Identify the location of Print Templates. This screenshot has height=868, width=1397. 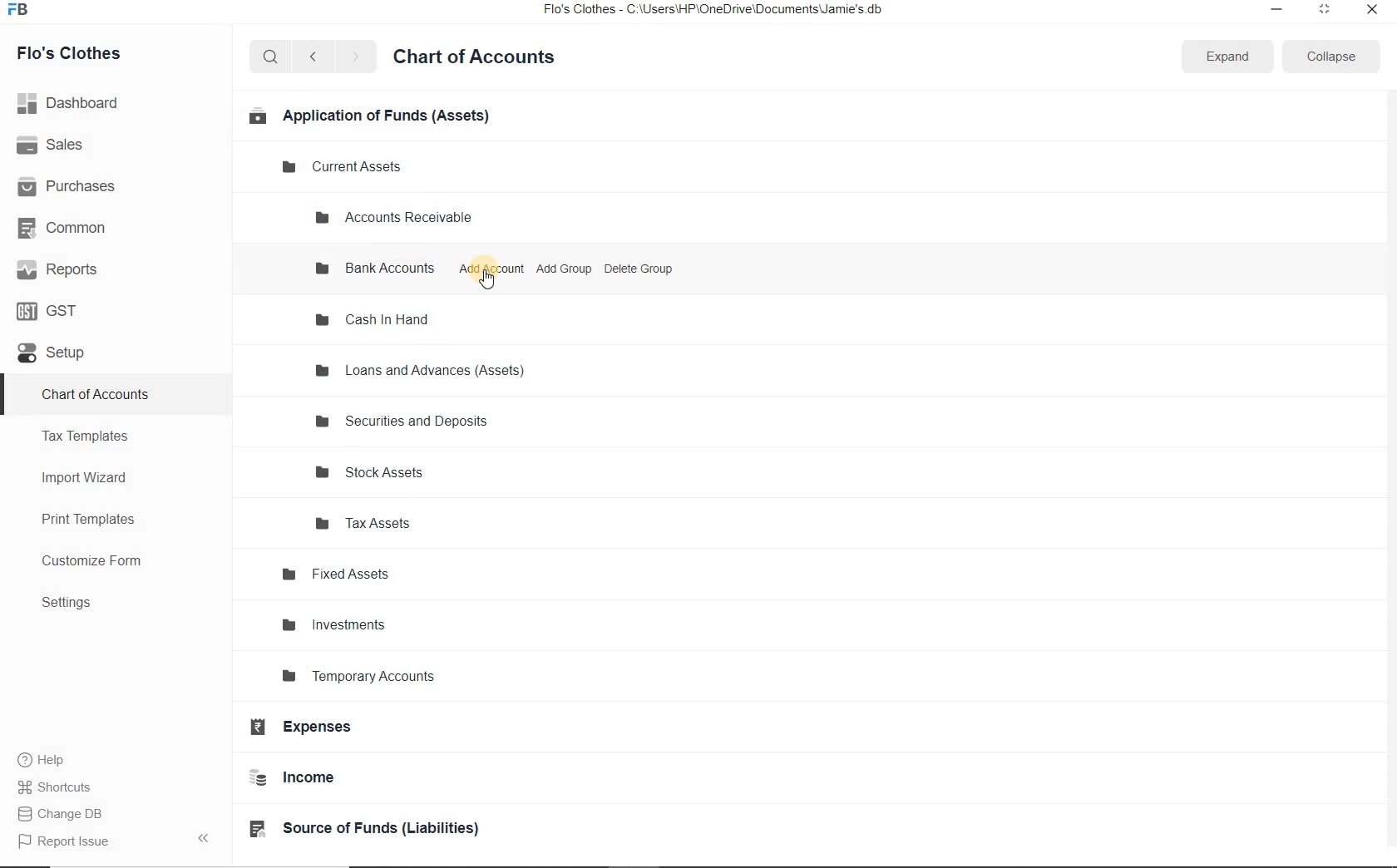
(104, 519).